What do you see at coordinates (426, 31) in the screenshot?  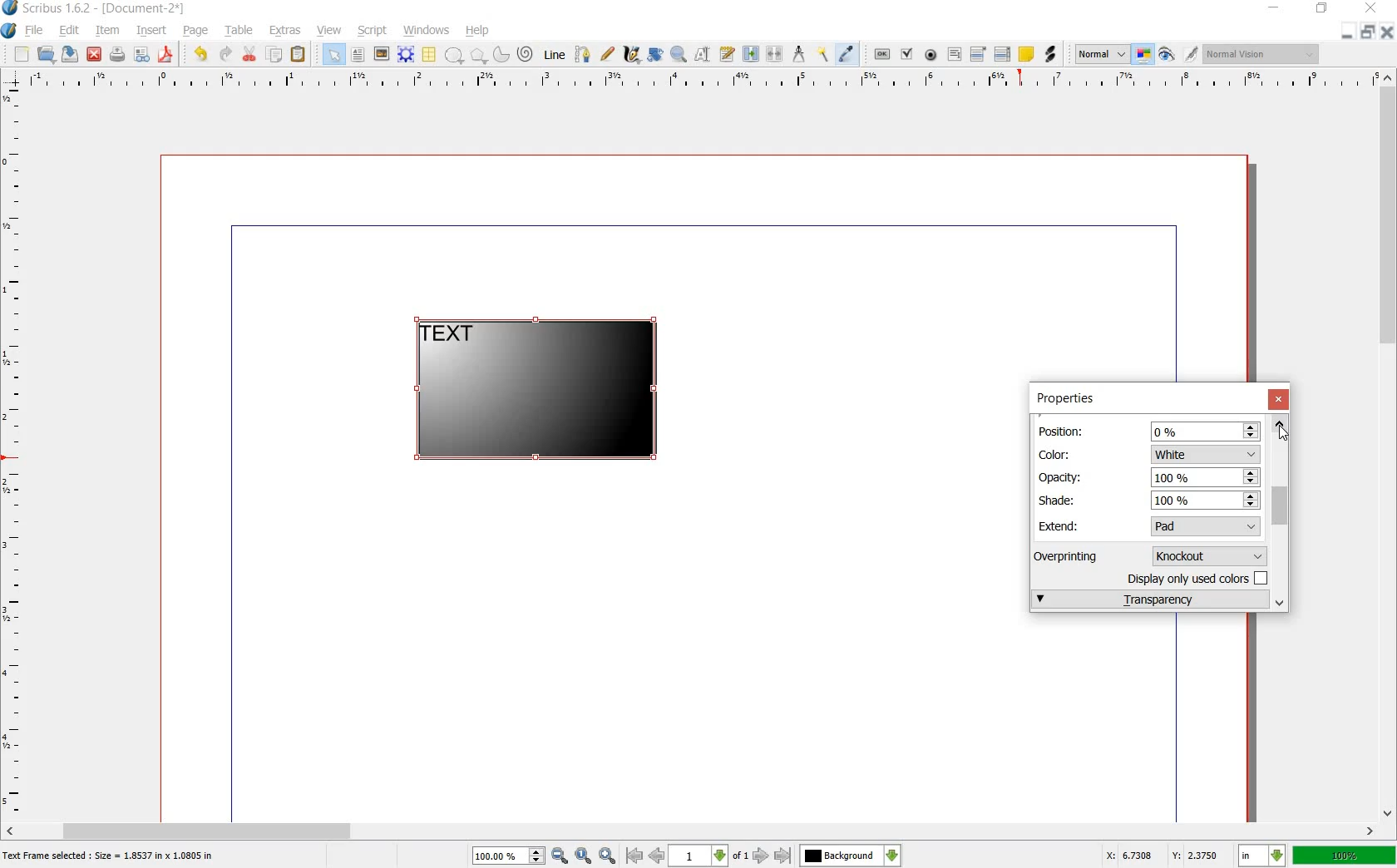 I see `windows` at bounding box center [426, 31].